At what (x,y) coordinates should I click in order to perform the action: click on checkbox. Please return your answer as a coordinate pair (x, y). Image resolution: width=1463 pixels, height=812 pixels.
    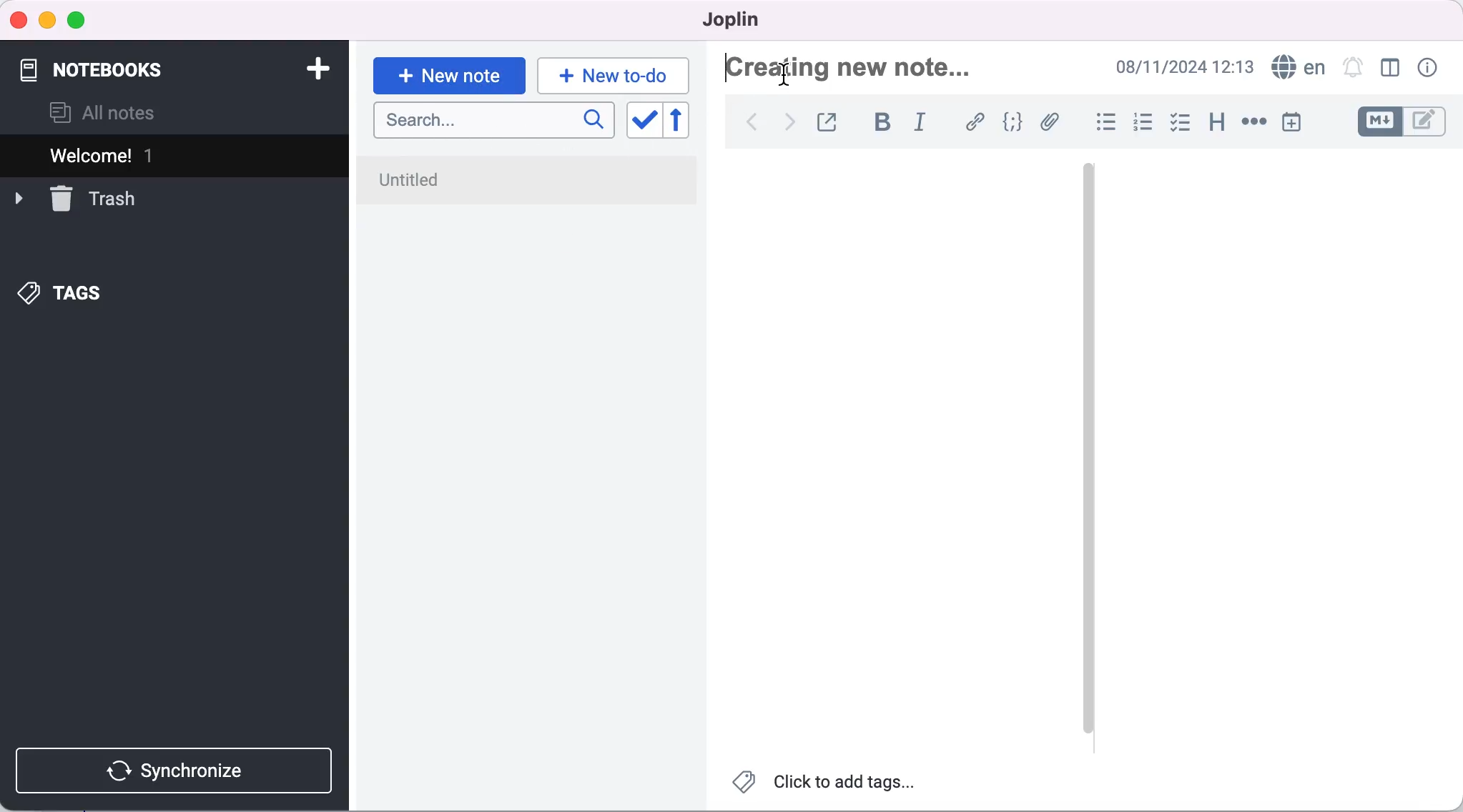
    Looking at the image, I should click on (1181, 124).